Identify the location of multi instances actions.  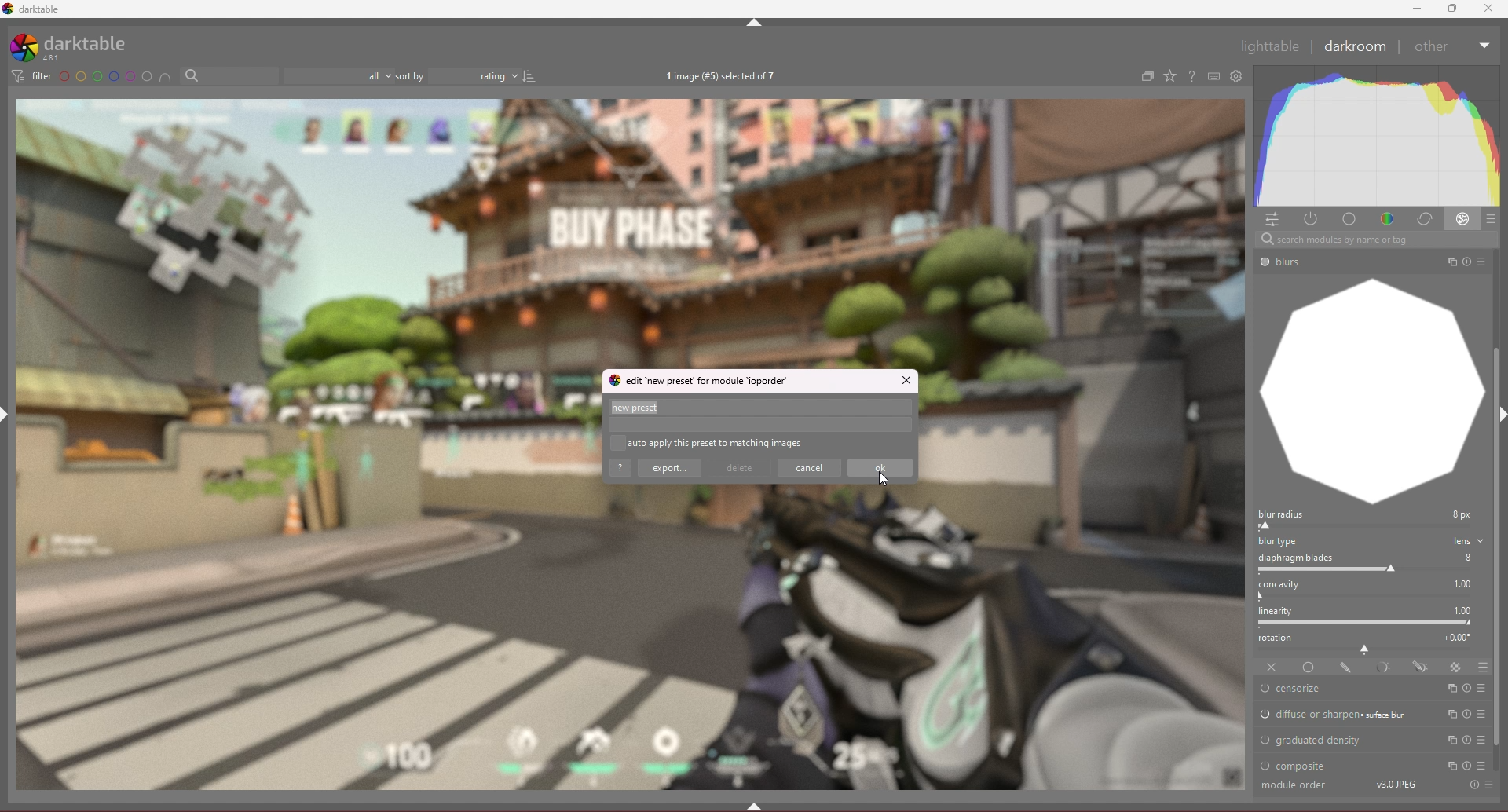
(1449, 689).